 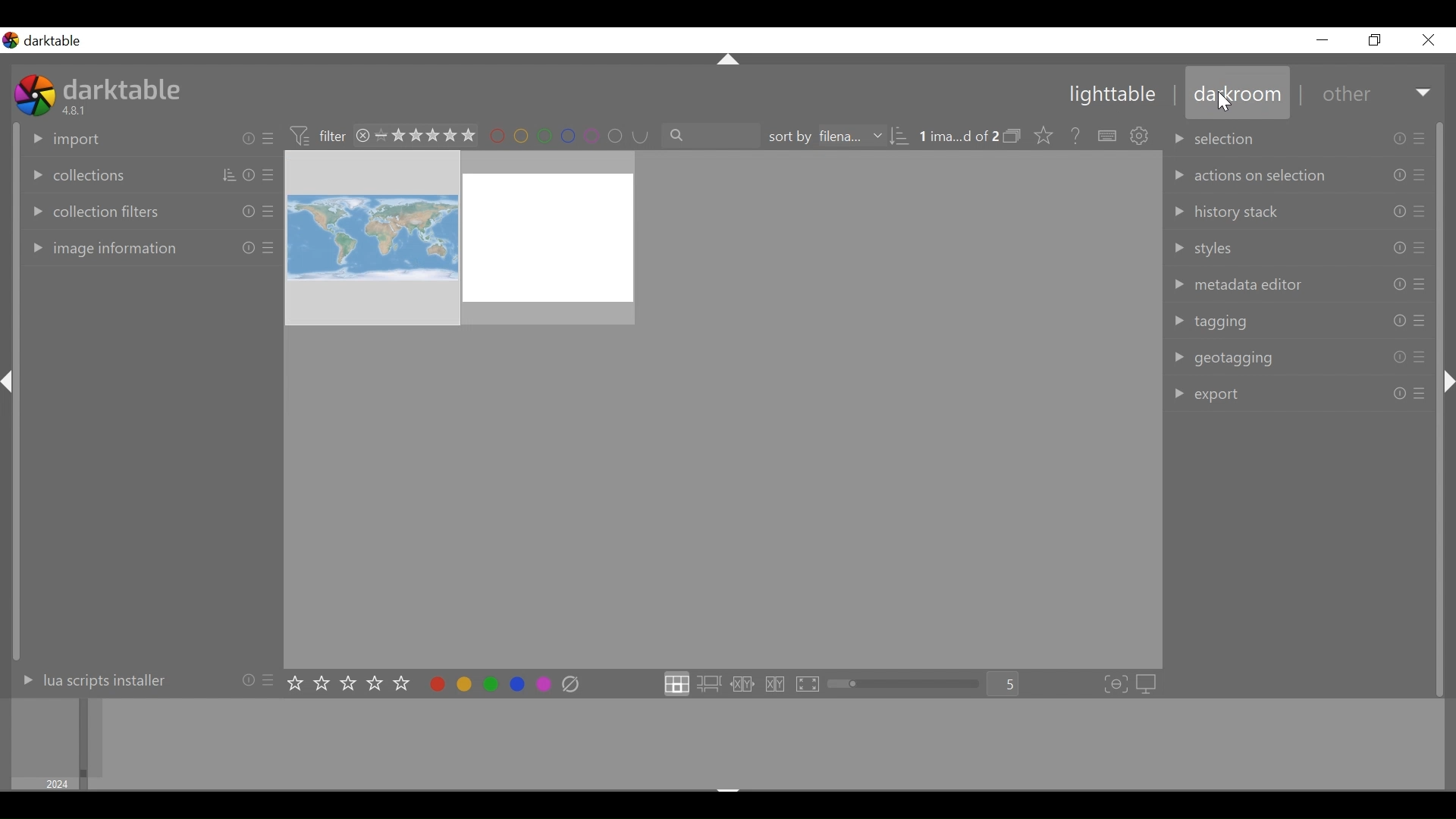 What do you see at coordinates (1446, 375) in the screenshot?
I see `hide` at bounding box center [1446, 375].